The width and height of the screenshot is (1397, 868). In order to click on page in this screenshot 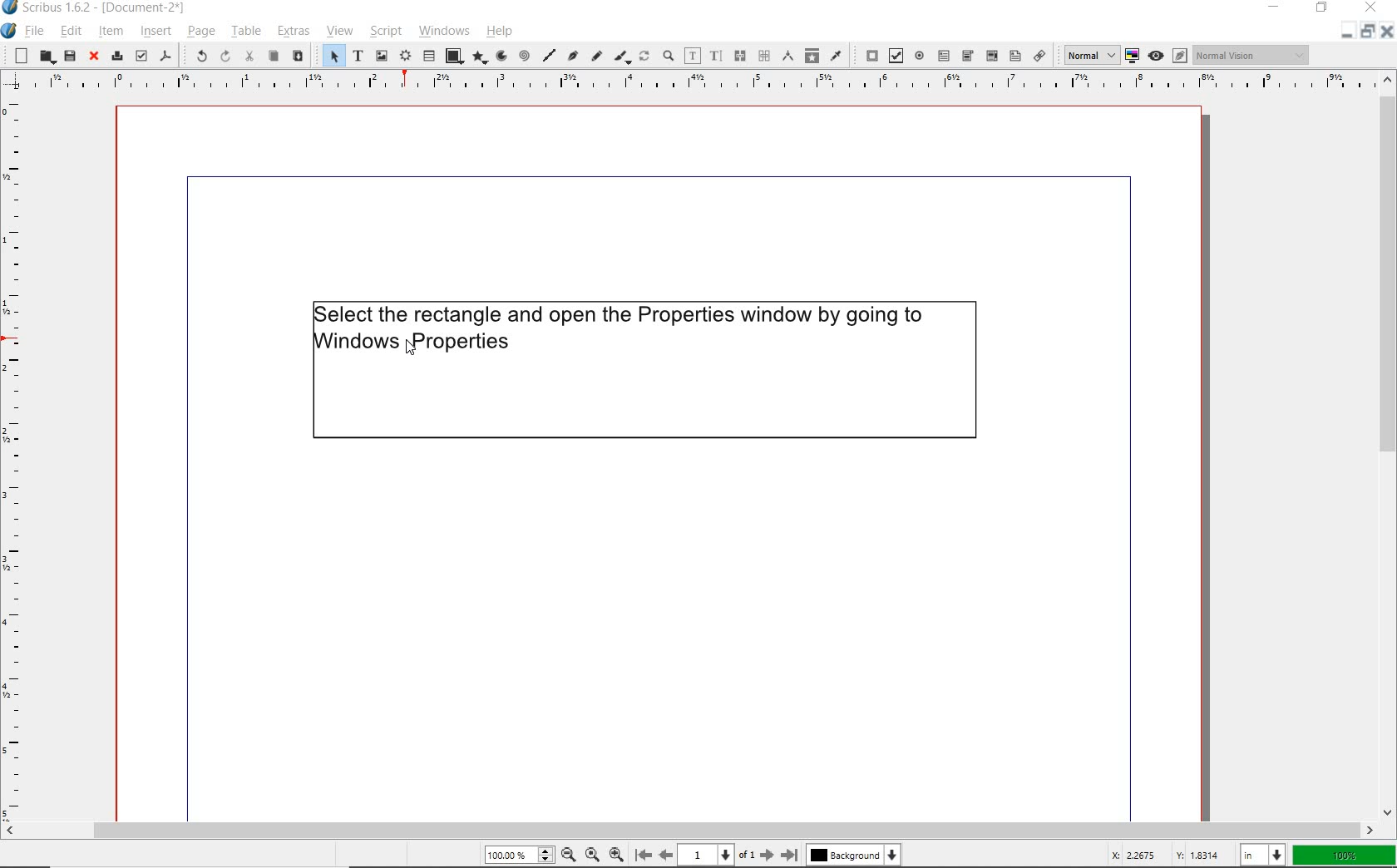, I will do `click(200, 31)`.